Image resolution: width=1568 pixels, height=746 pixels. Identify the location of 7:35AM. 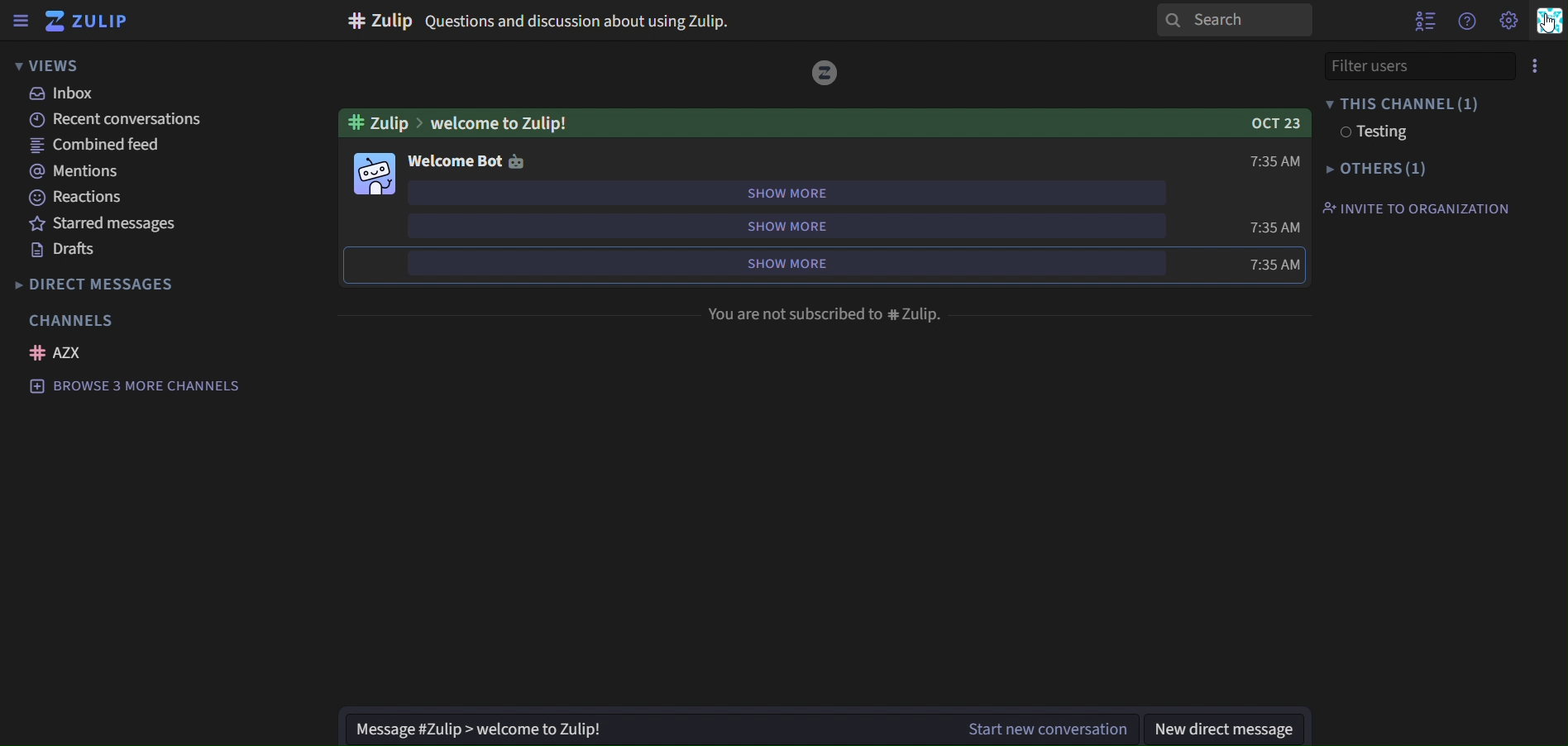
(1277, 226).